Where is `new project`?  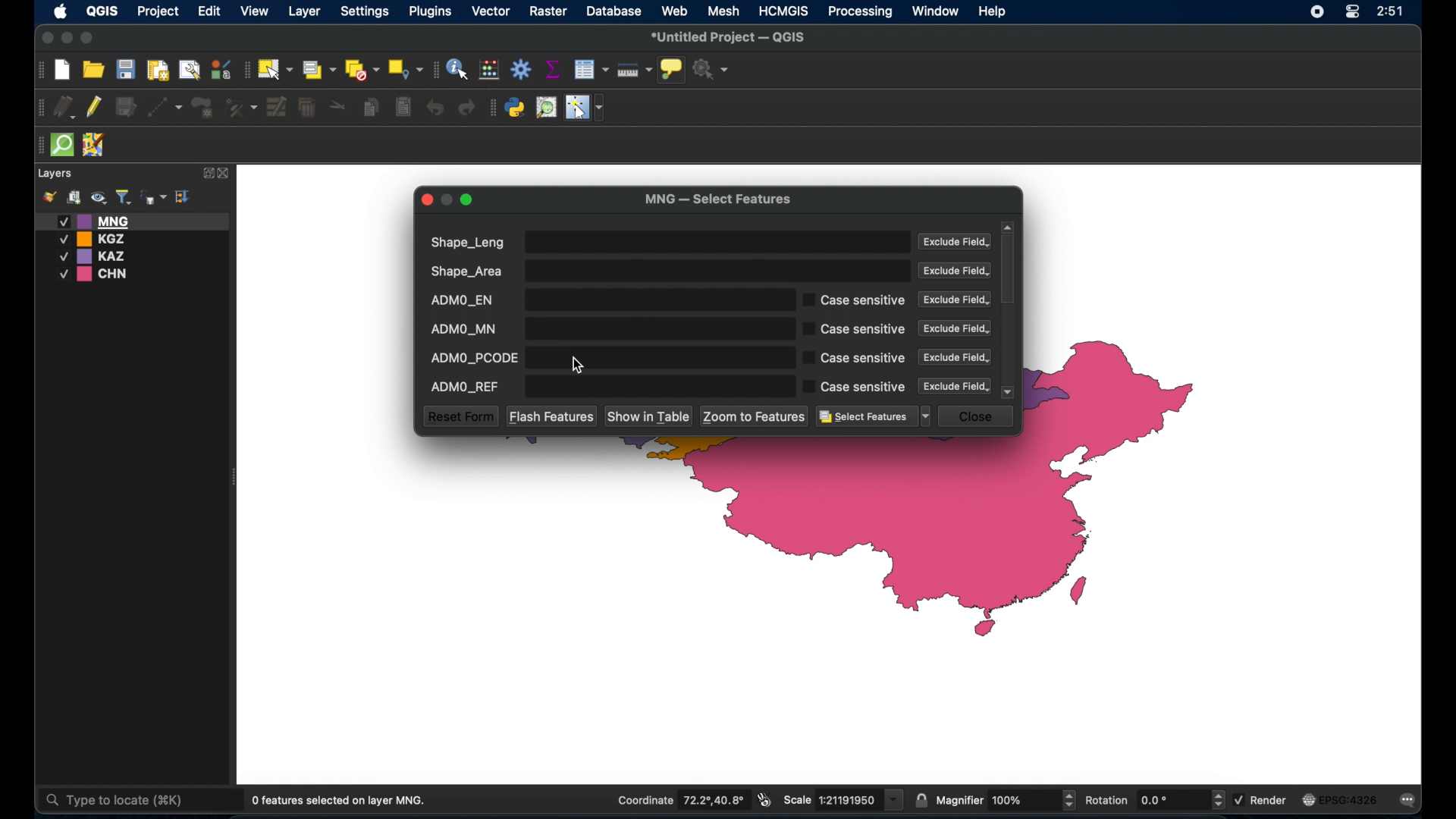 new project is located at coordinates (63, 71).